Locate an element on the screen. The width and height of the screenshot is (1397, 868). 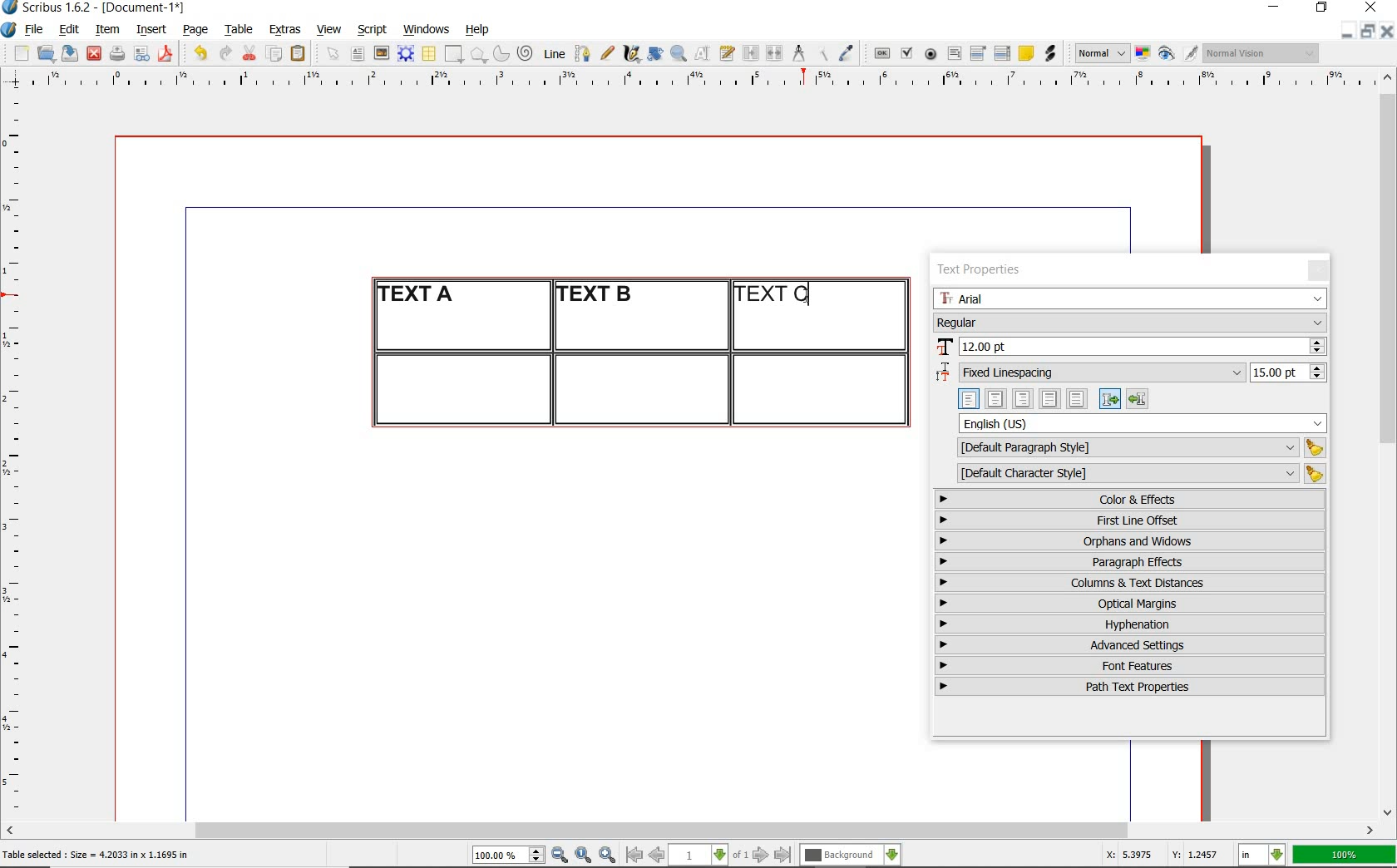
pdf push button is located at coordinates (882, 54).